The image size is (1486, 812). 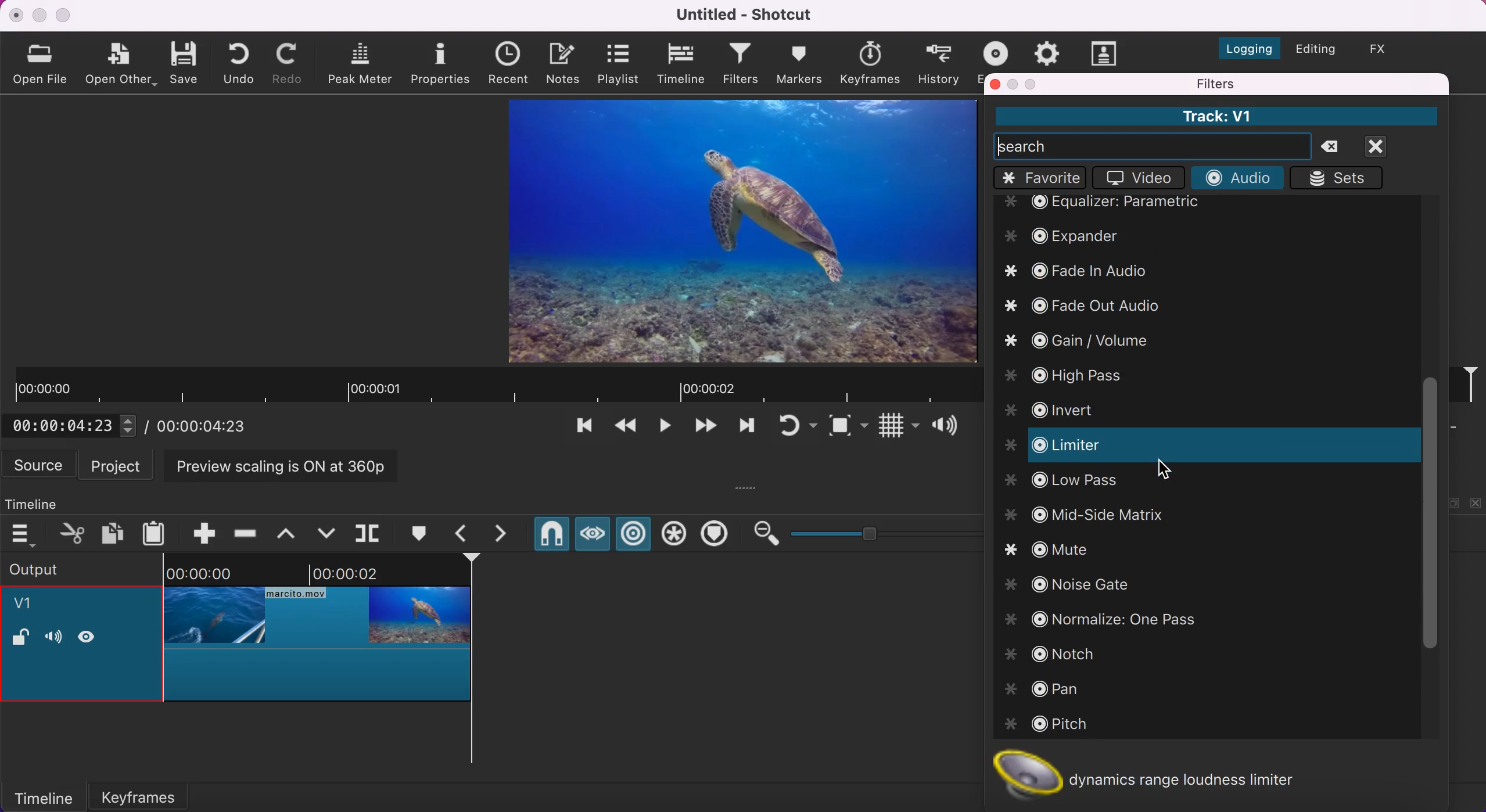 I want to click on noise gate, so click(x=1084, y=584).